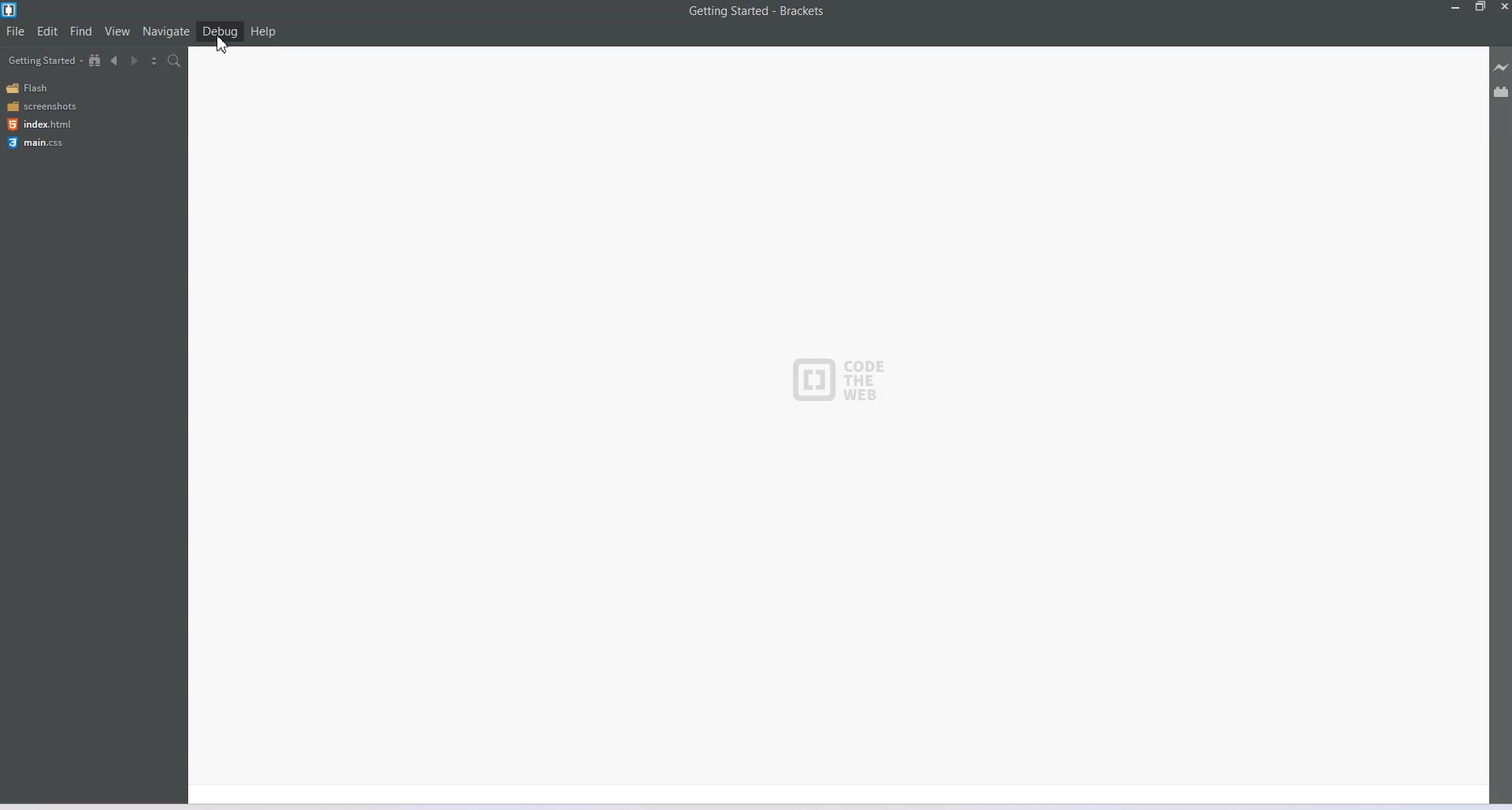  I want to click on Minimize, so click(1457, 8).